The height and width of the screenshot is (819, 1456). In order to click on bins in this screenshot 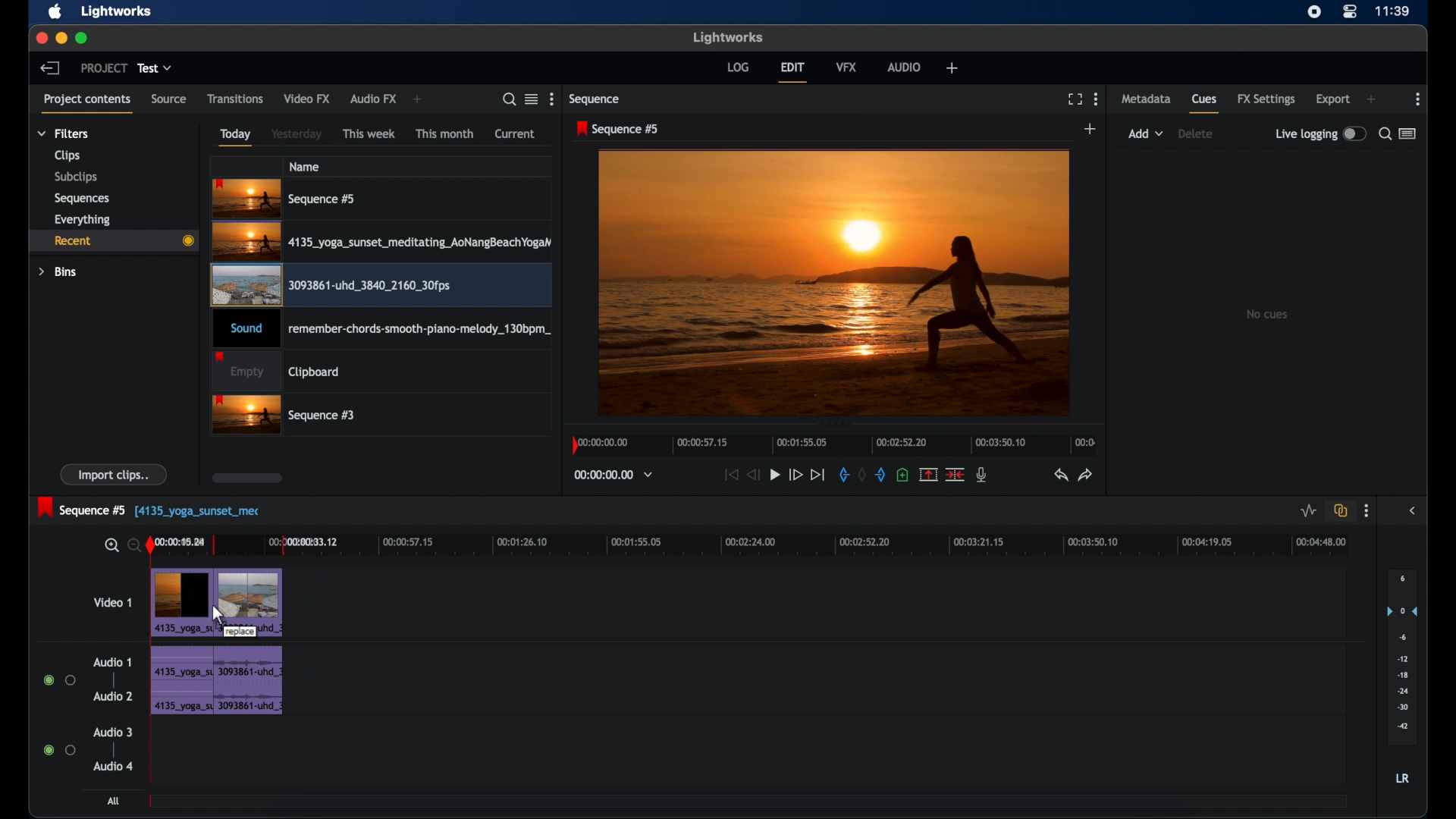, I will do `click(59, 273)`.